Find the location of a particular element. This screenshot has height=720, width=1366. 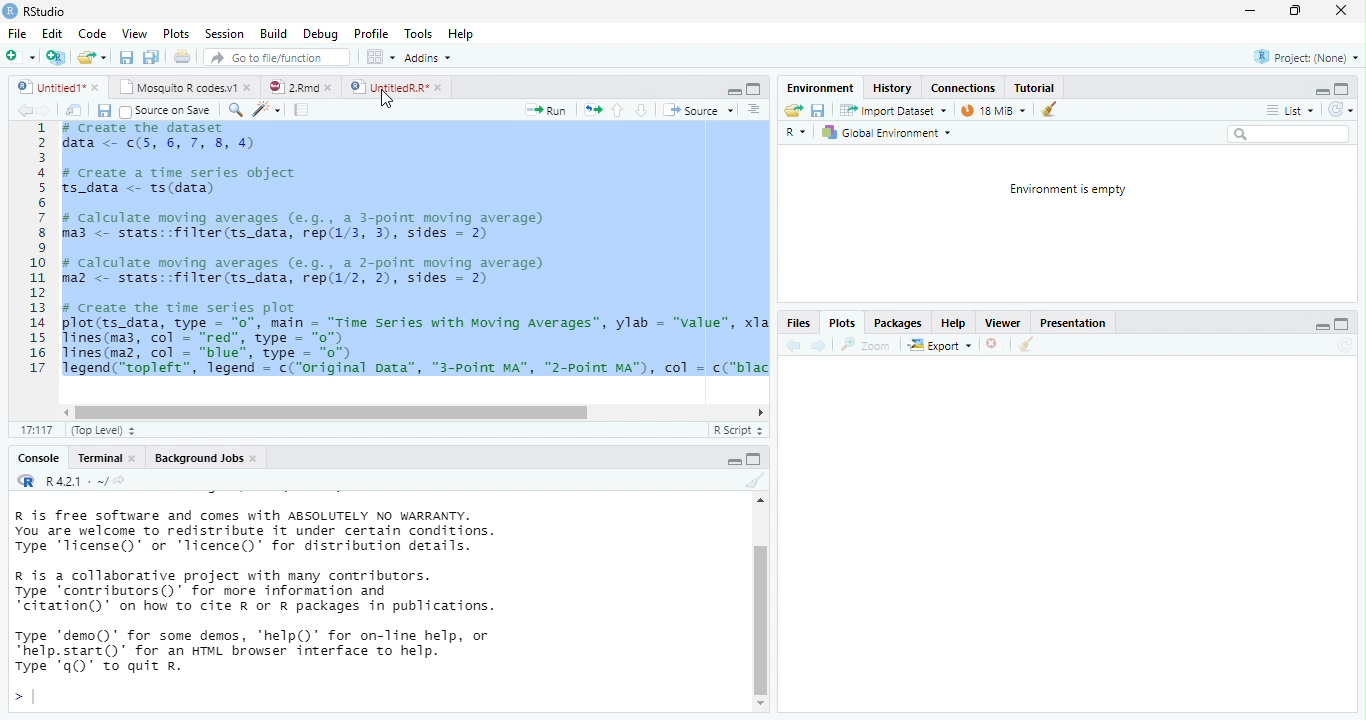

Help is located at coordinates (951, 323).